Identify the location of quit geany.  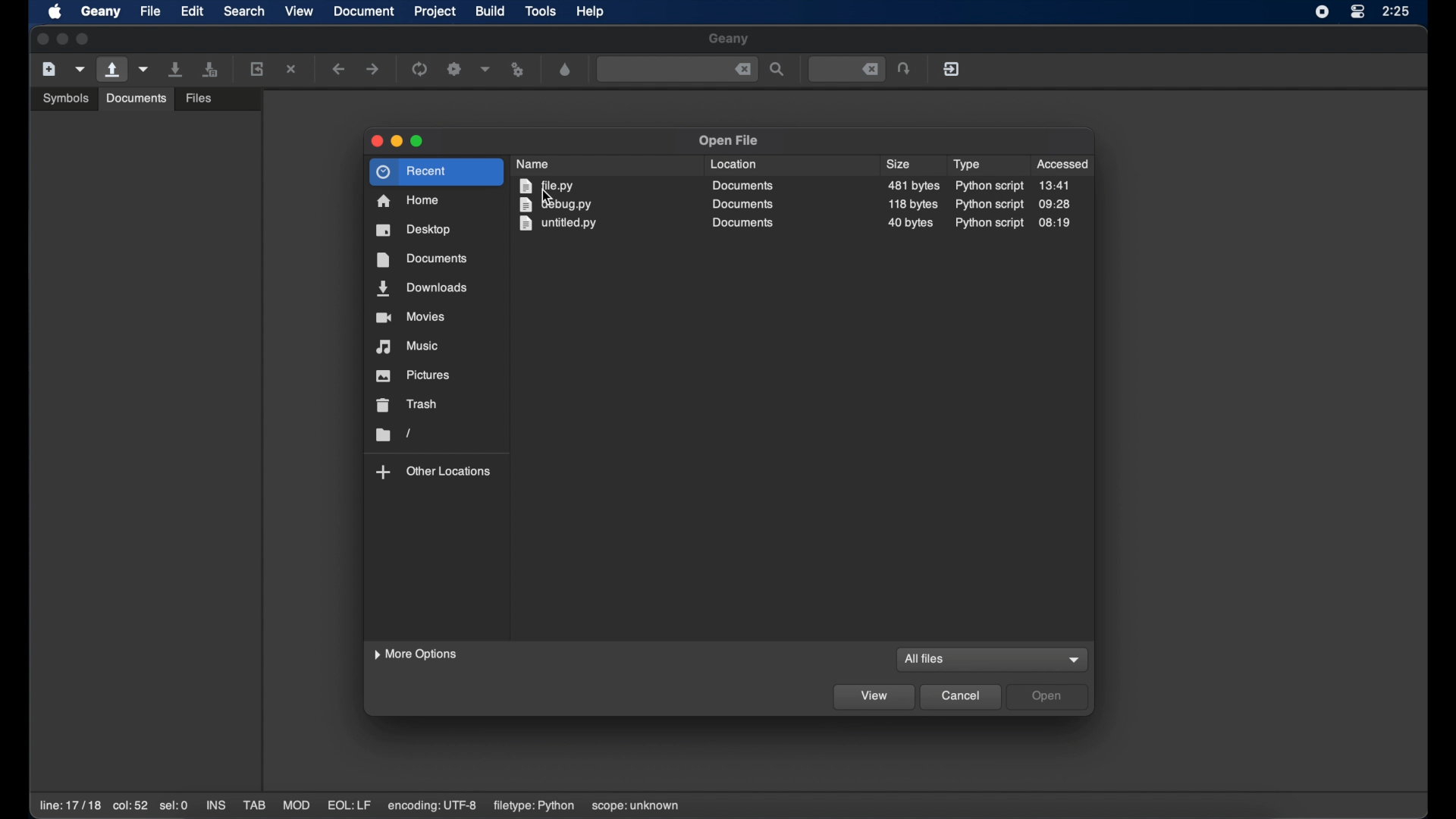
(952, 69).